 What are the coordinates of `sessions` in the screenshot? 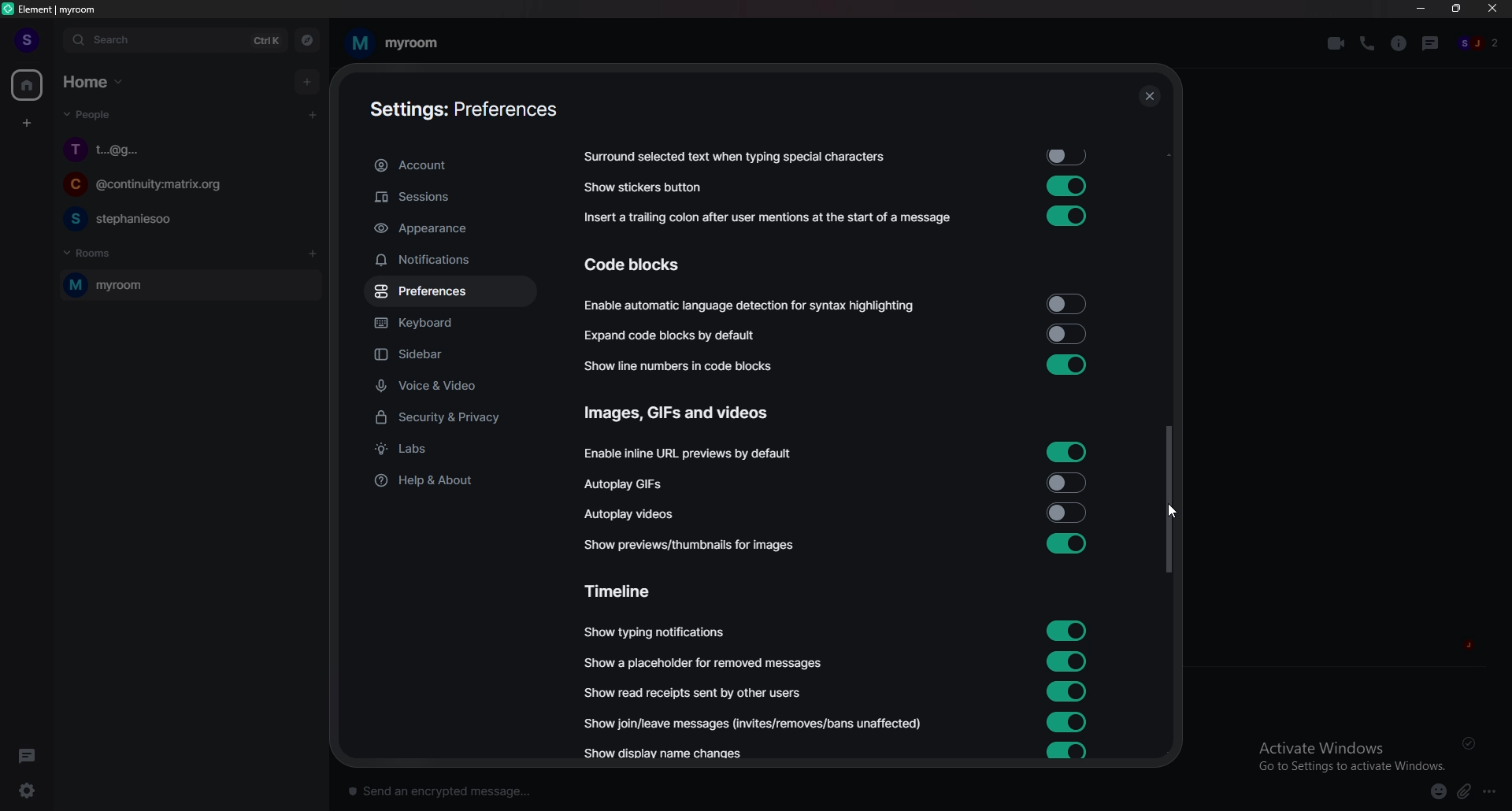 It's located at (449, 198).